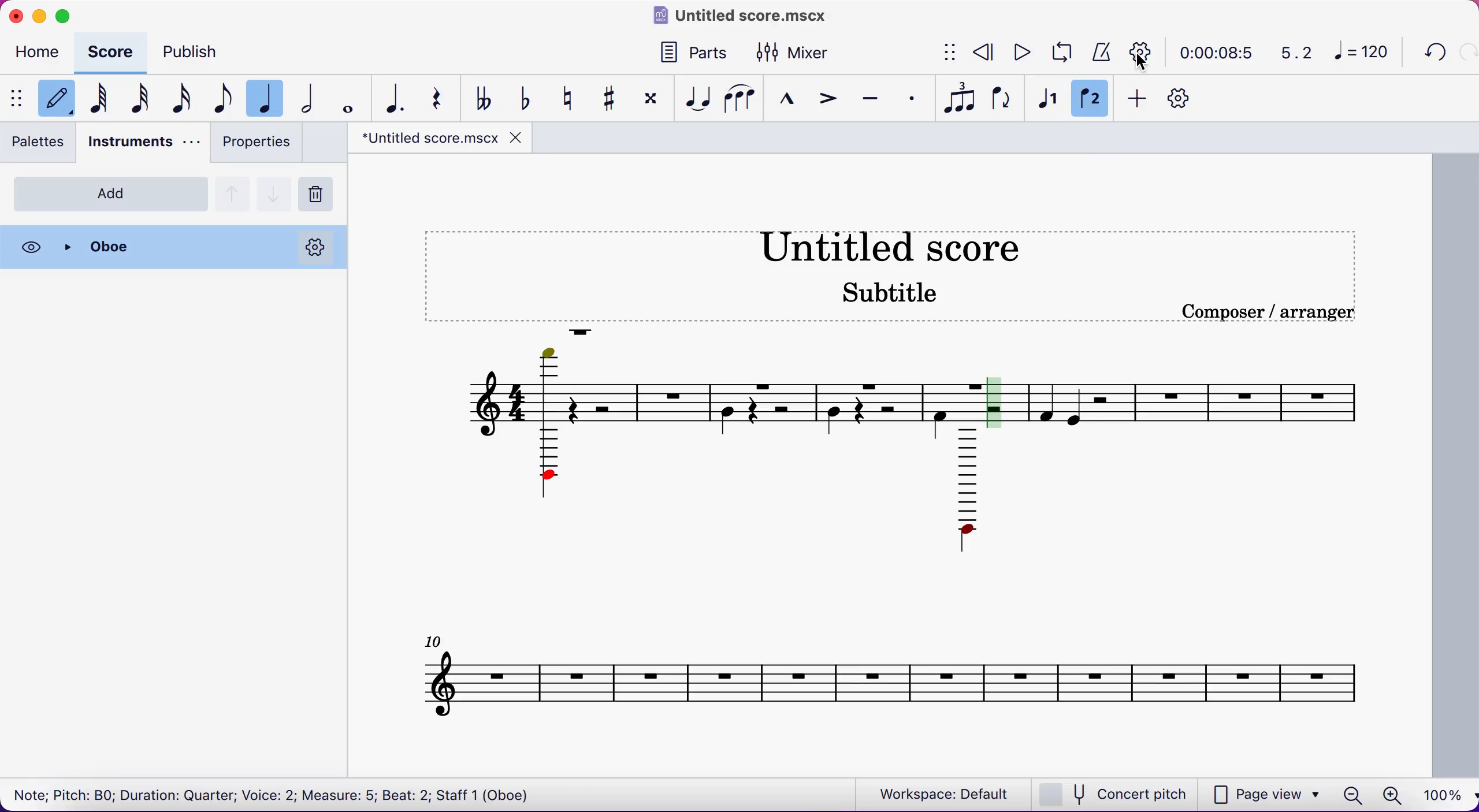 The width and height of the screenshot is (1479, 812). I want to click on mixer, so click(805, 51).